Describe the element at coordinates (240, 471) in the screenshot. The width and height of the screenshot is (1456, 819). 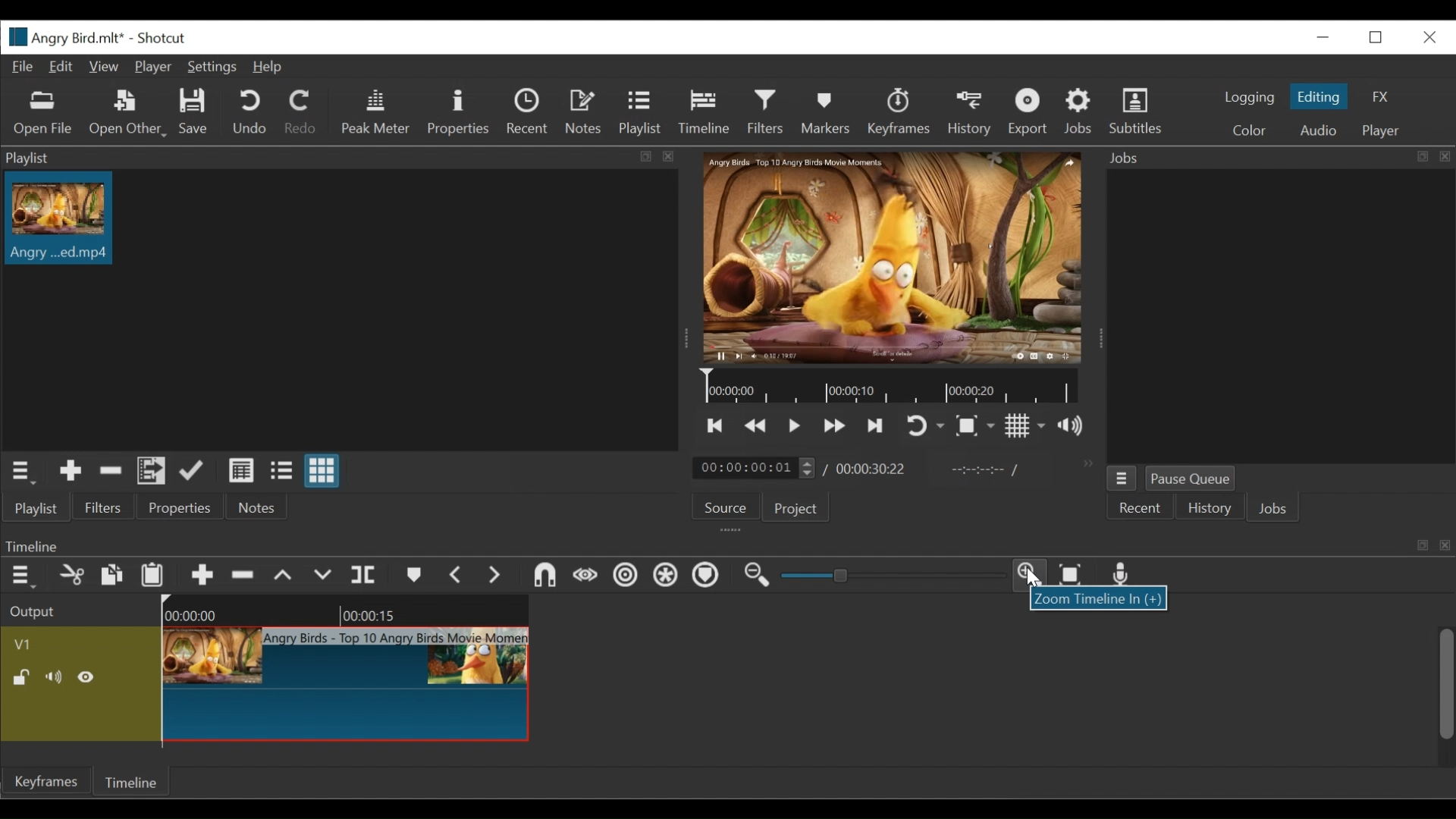
I see `View as details` at that location.